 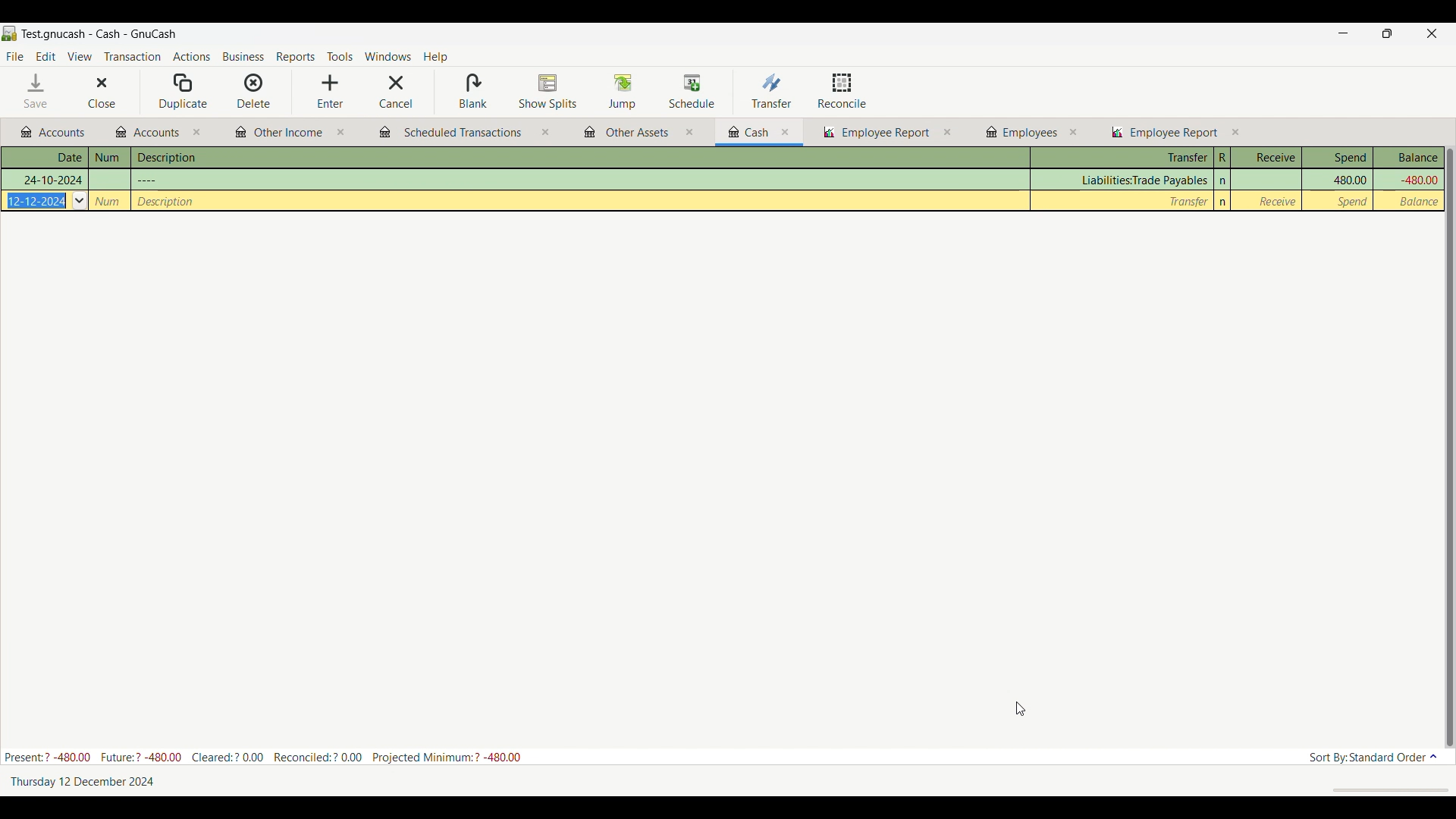 I want to click on Windows menu, so click(x=388, y=56).